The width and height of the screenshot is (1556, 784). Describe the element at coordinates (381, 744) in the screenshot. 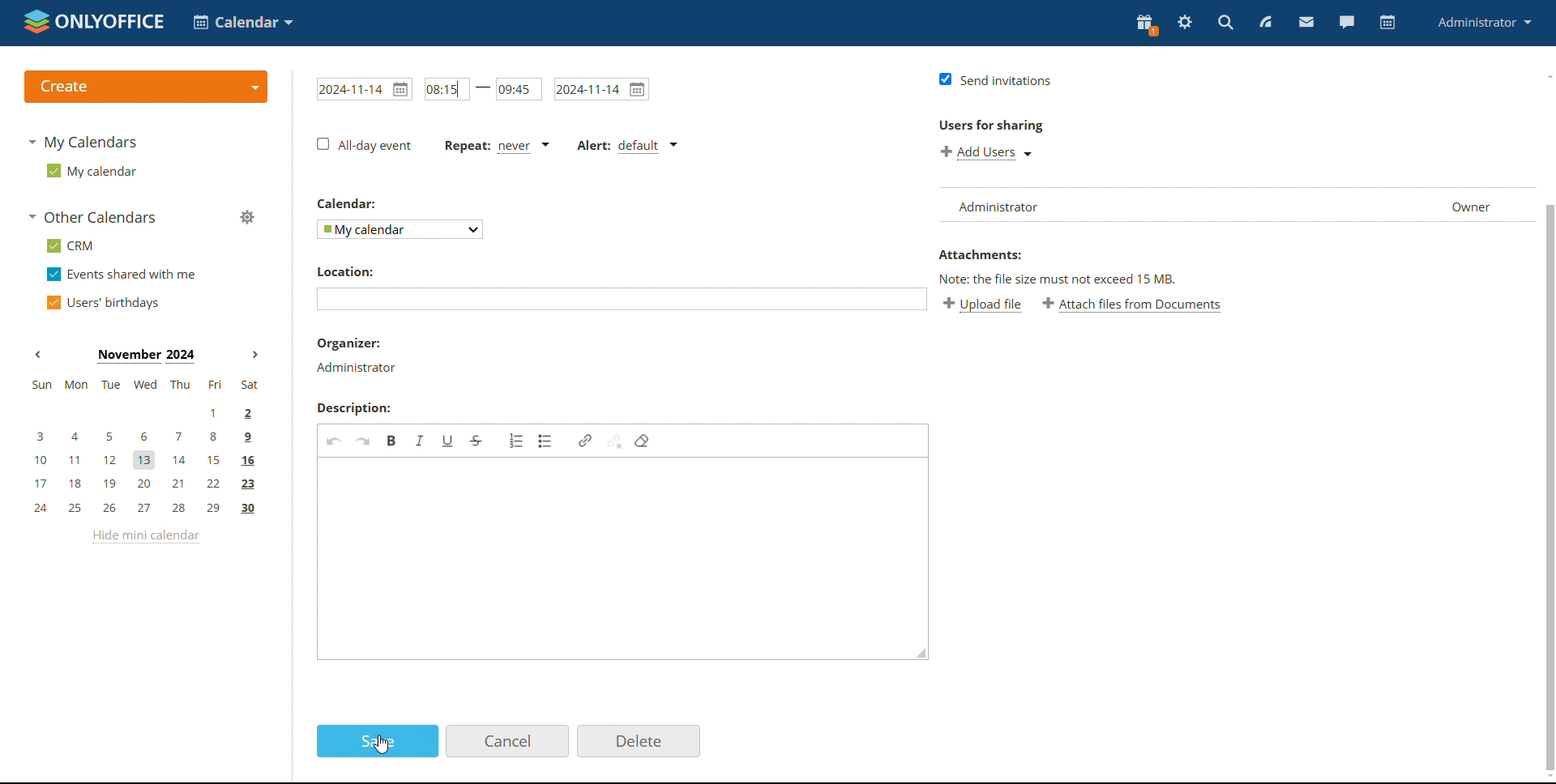

I see `Cursor` at that location.